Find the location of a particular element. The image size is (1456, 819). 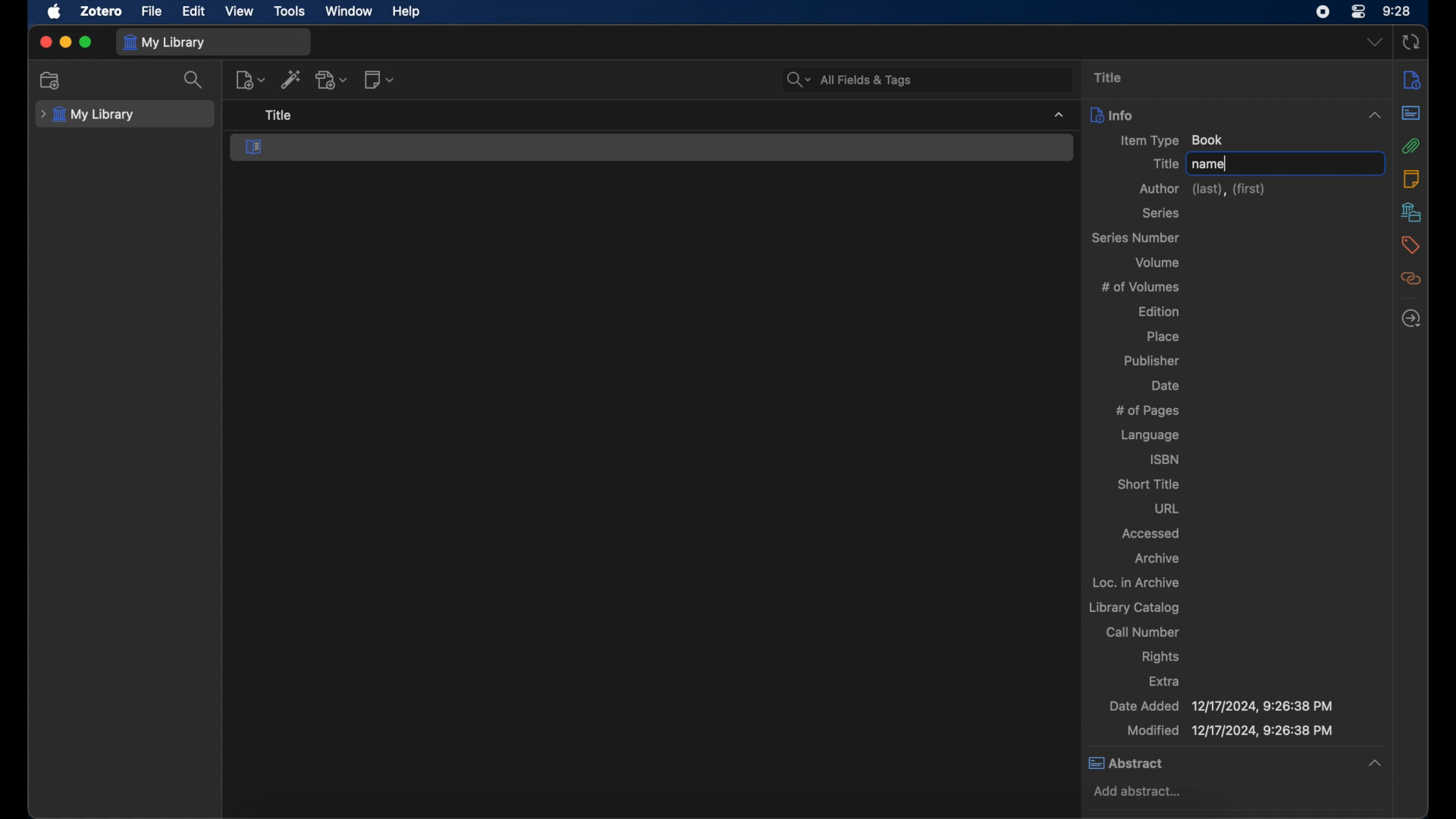

add abstract is located at coordinates (1141, 792).